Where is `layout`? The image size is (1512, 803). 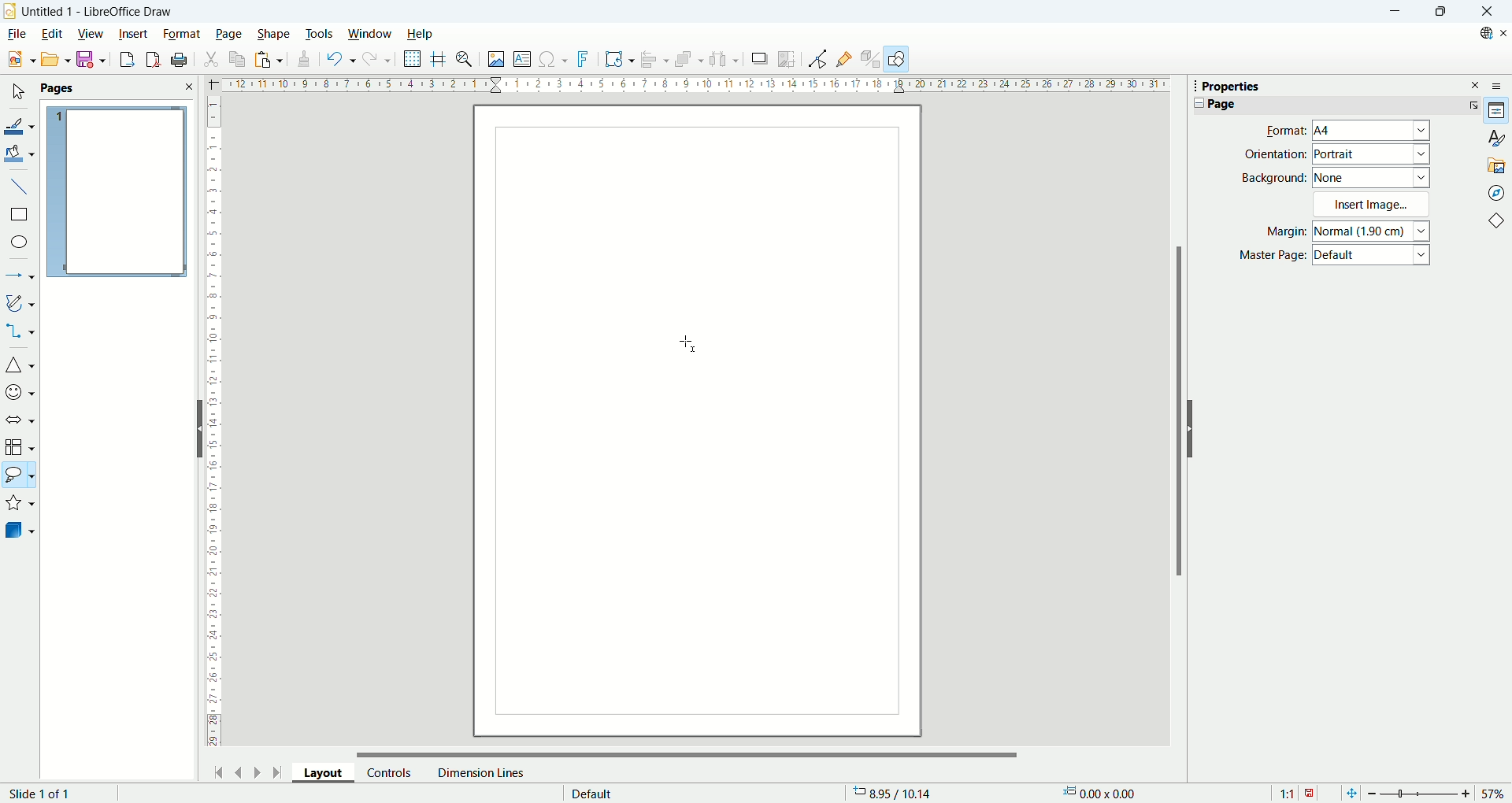 layout is located at coordinates (329, 775).